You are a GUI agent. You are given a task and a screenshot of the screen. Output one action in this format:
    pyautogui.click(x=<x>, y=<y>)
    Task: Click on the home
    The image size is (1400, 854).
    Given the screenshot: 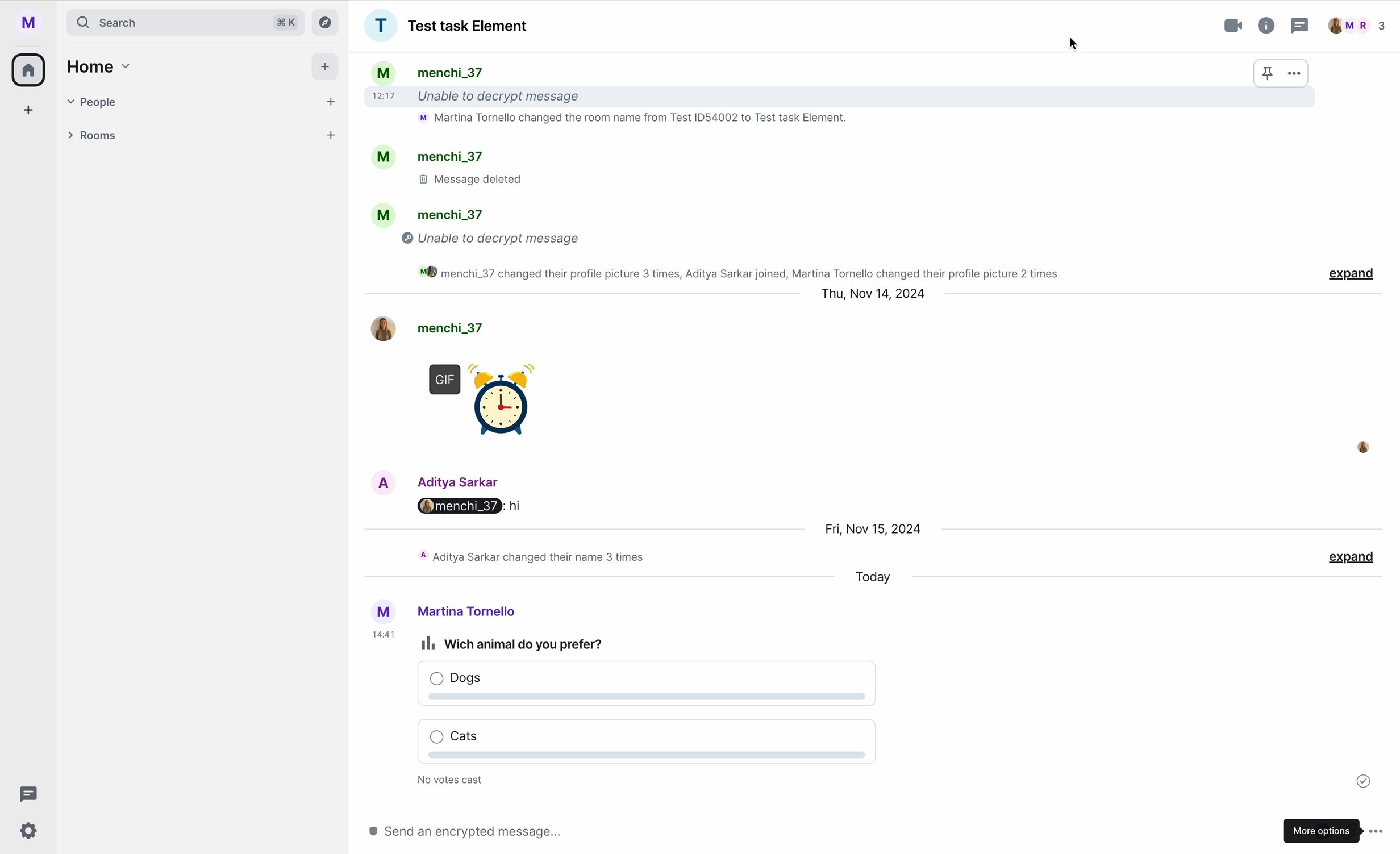 What is the action you would take?
    pyautogui.click(x=30, y=69)
    